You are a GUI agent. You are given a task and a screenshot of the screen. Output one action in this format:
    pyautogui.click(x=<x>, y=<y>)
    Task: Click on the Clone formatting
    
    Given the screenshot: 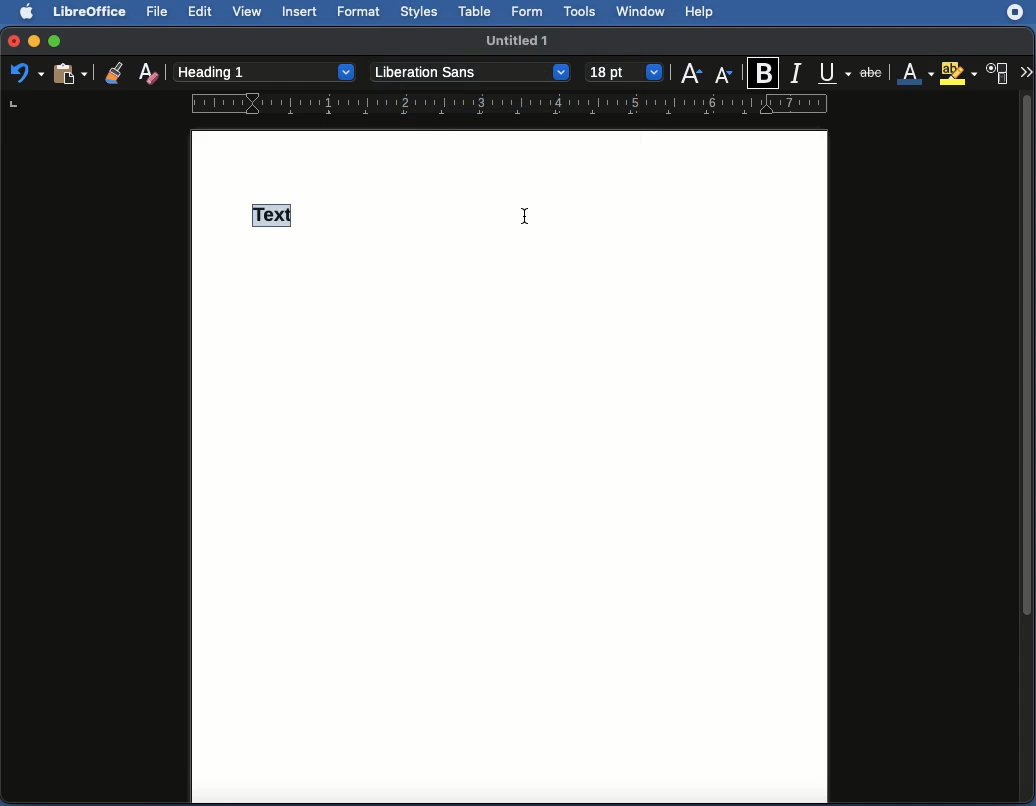 What is the action you would take?
    pyautogui.click(x=113, y=70)
    